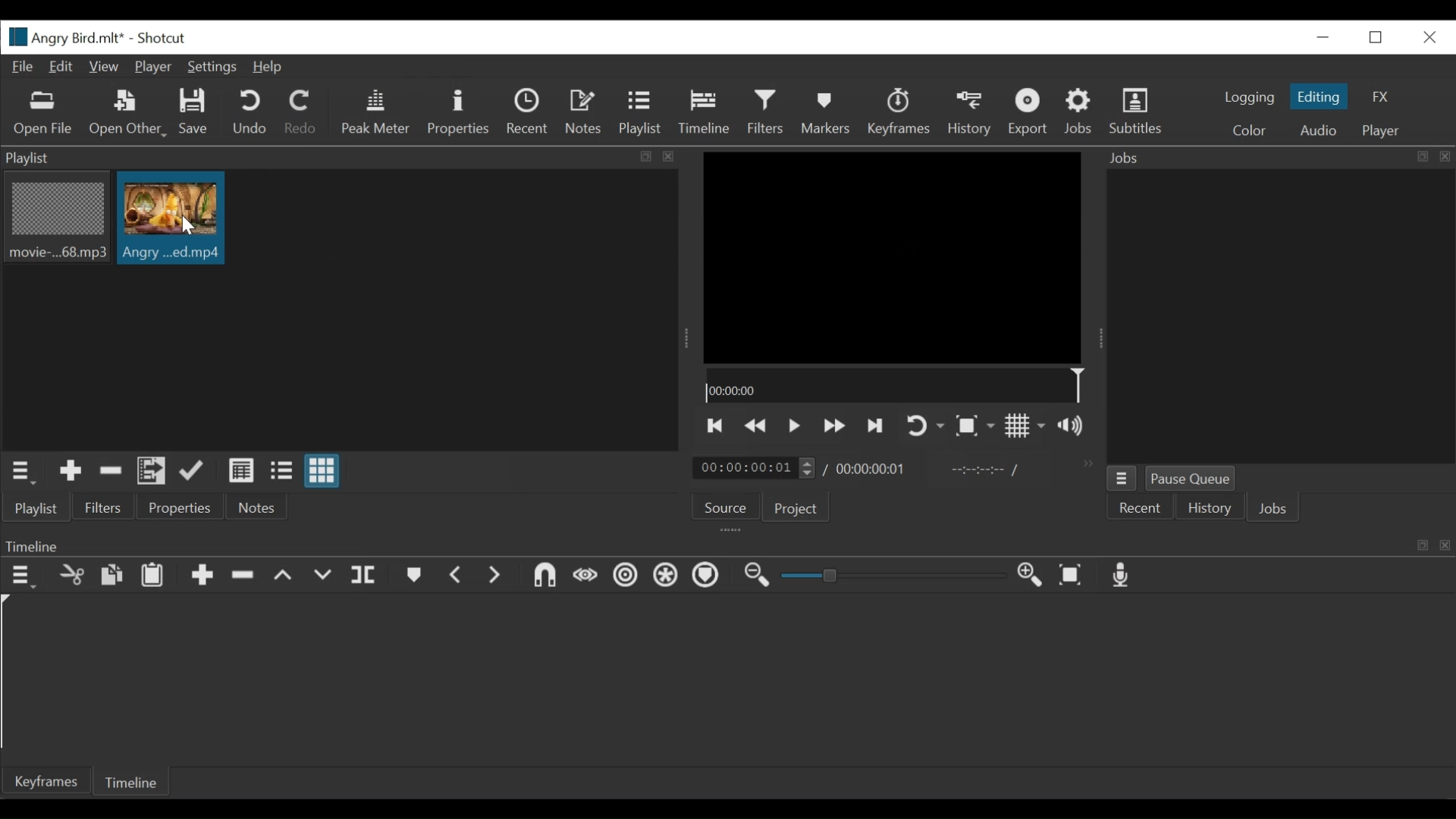  I want to click on Timeline, so click(727, 543).